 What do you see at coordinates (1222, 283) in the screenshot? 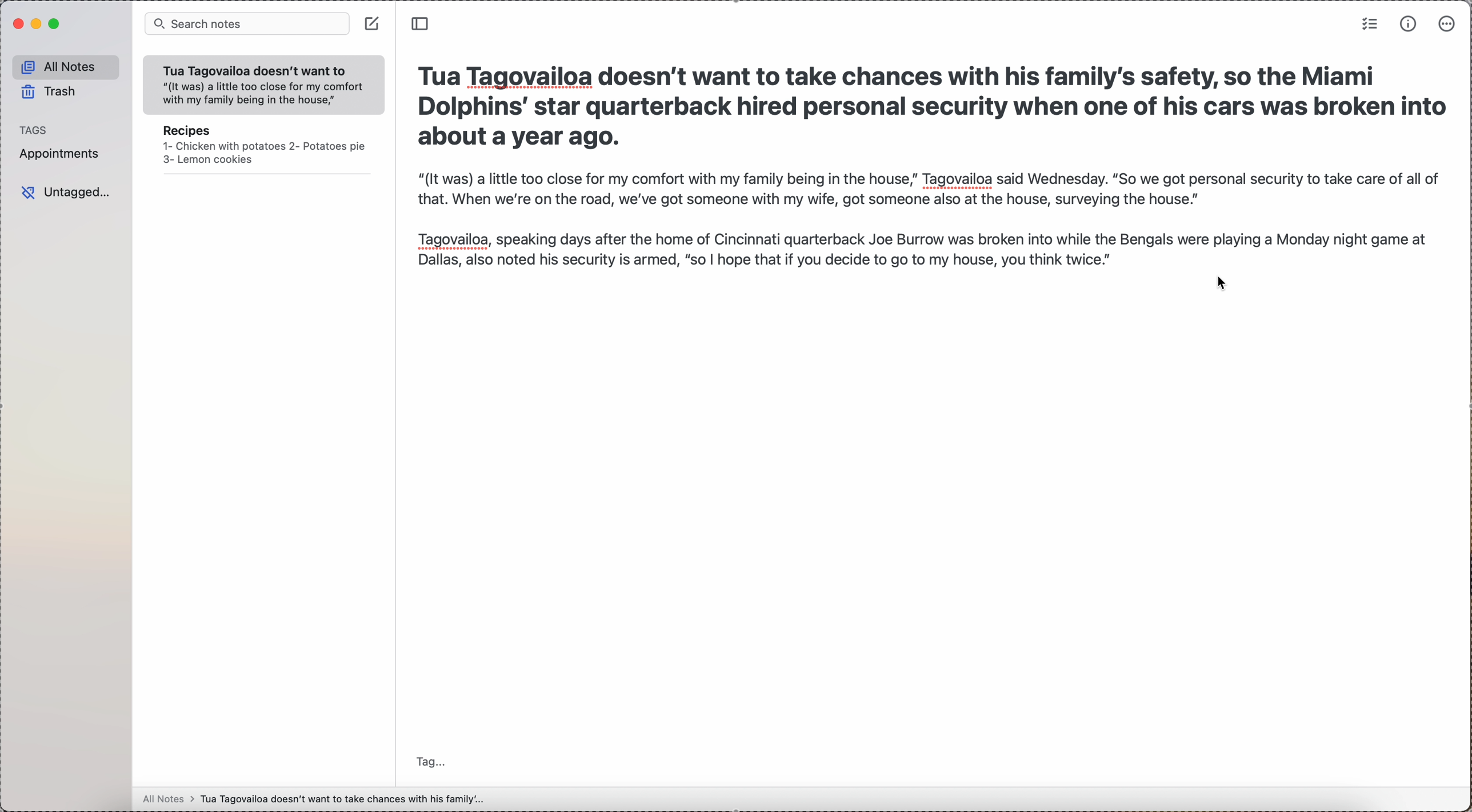
I see `cursor` at bounding box center [1222, 283].